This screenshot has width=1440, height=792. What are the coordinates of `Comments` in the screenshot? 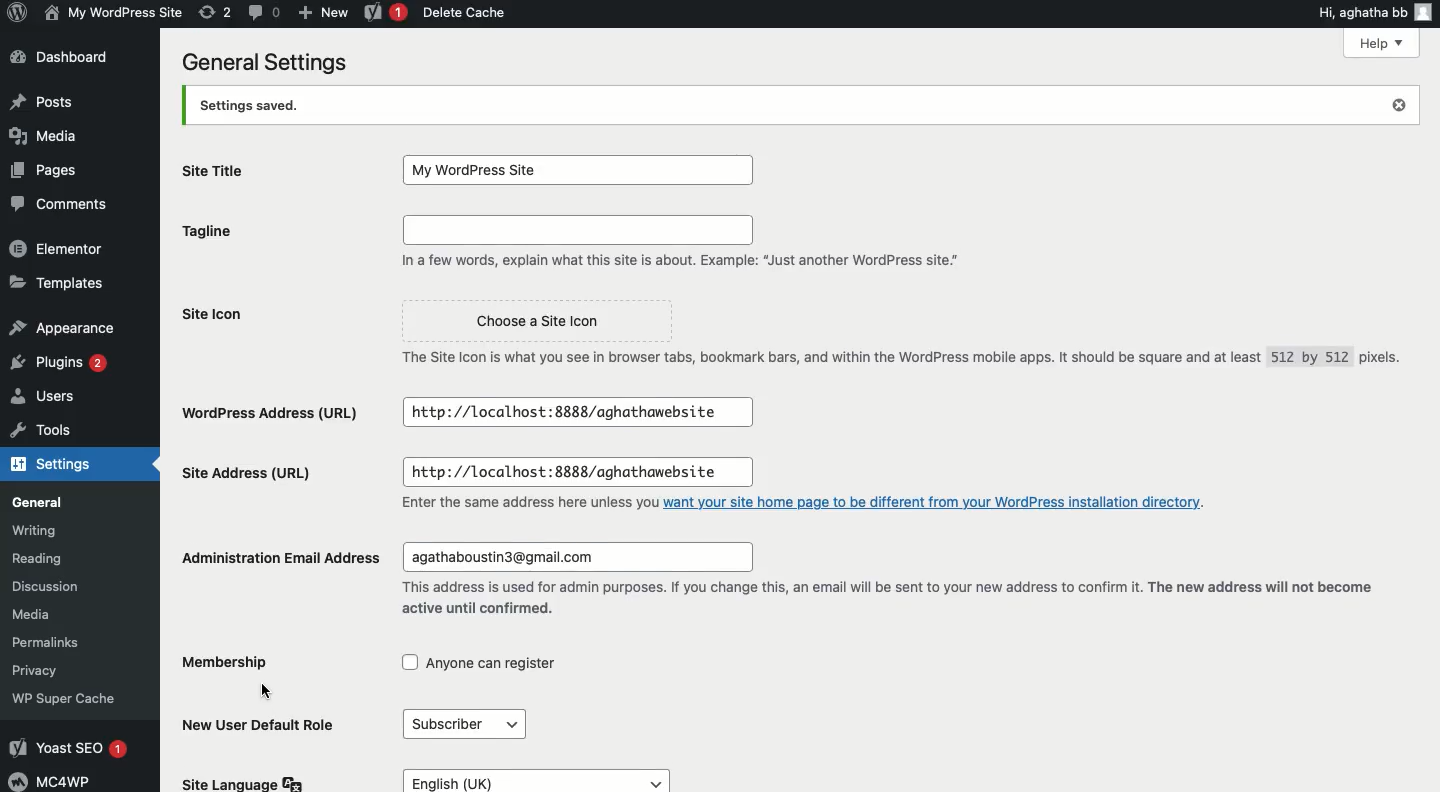 It's located at (64, 202).